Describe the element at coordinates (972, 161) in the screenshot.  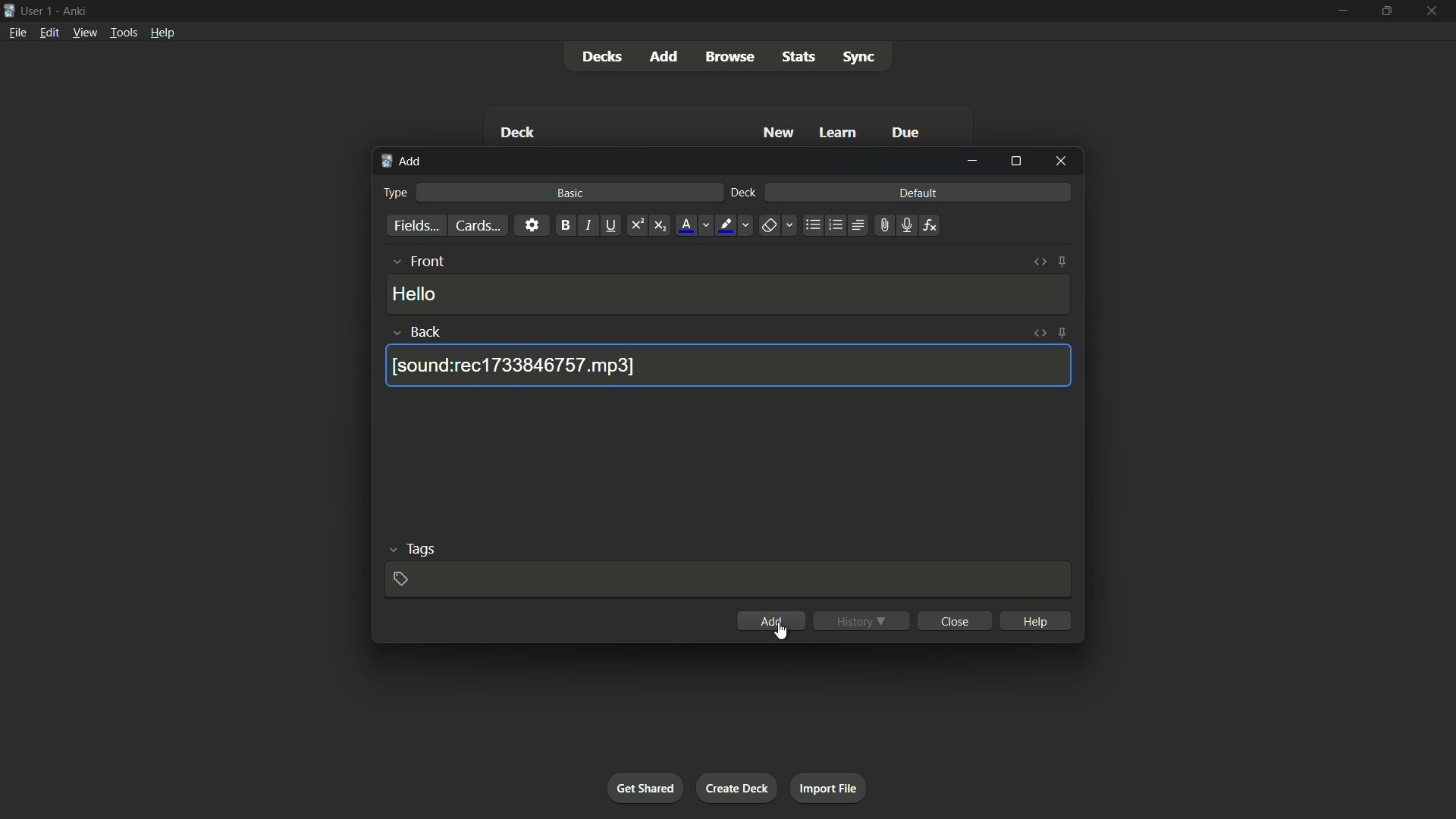
I see `minimize` at that location.